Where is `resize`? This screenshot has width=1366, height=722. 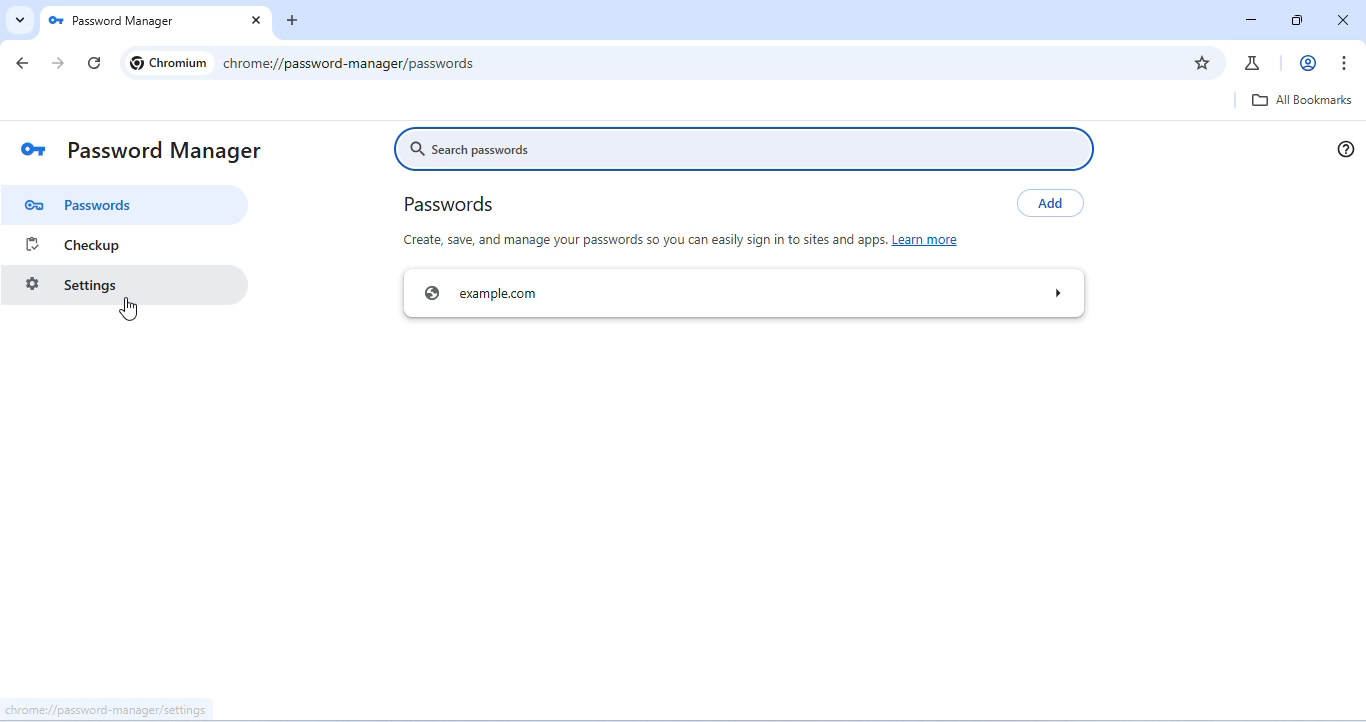 resize is located at coordinates (1295, 20).